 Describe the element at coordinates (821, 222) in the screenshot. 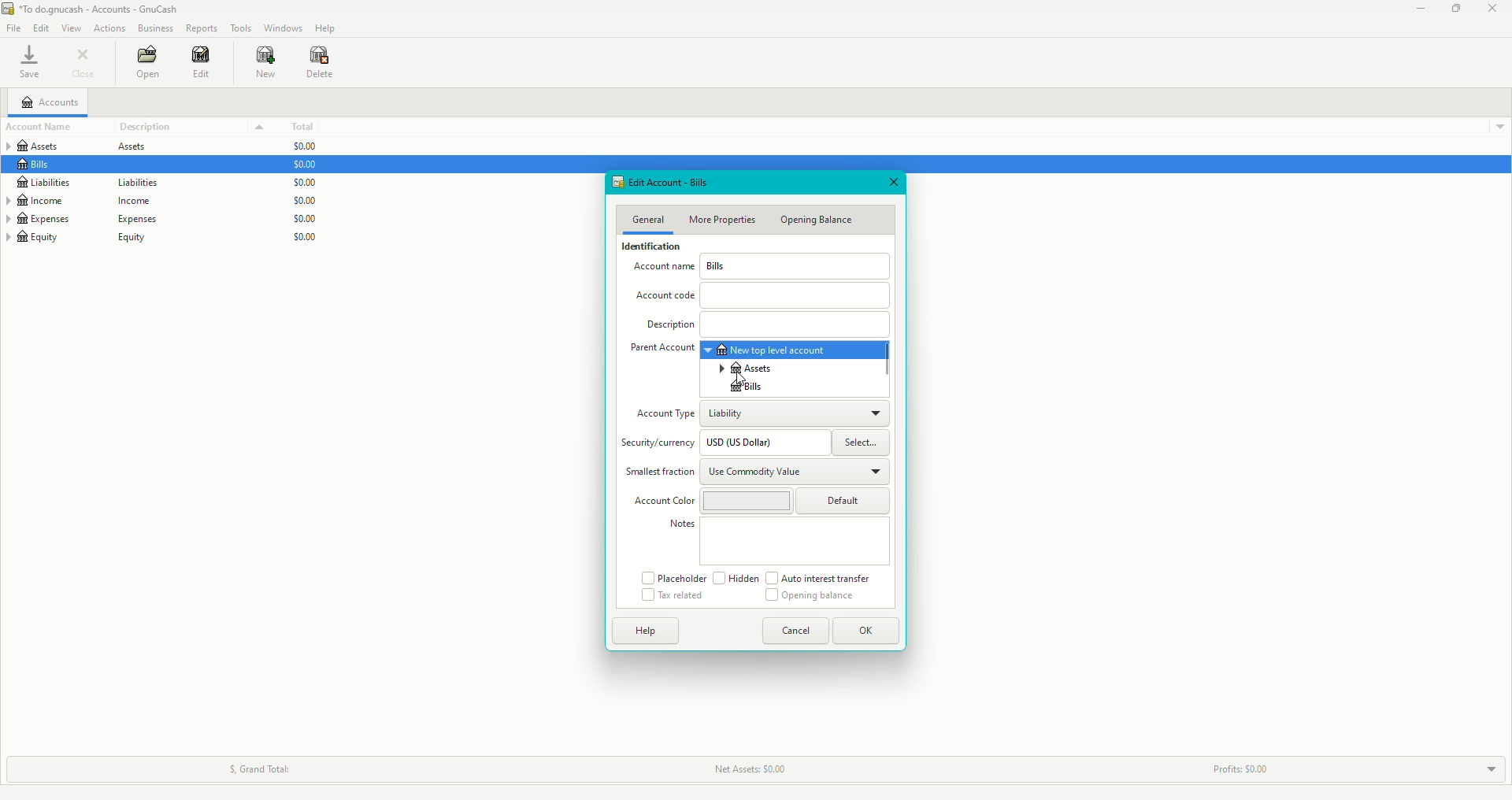

I see `Opening Balance` at that location.